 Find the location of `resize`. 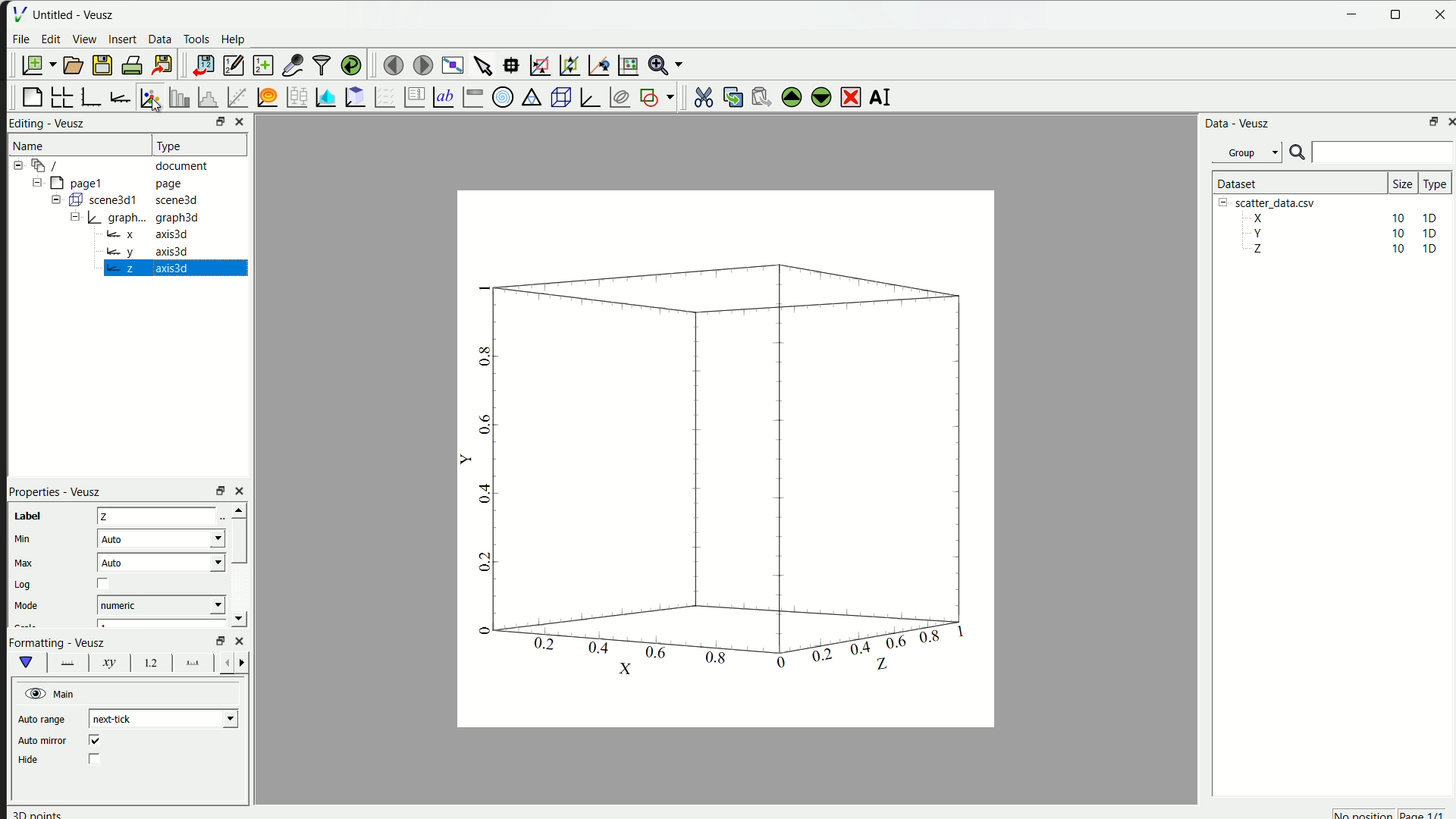

resize is located at coordinates (215, 123).